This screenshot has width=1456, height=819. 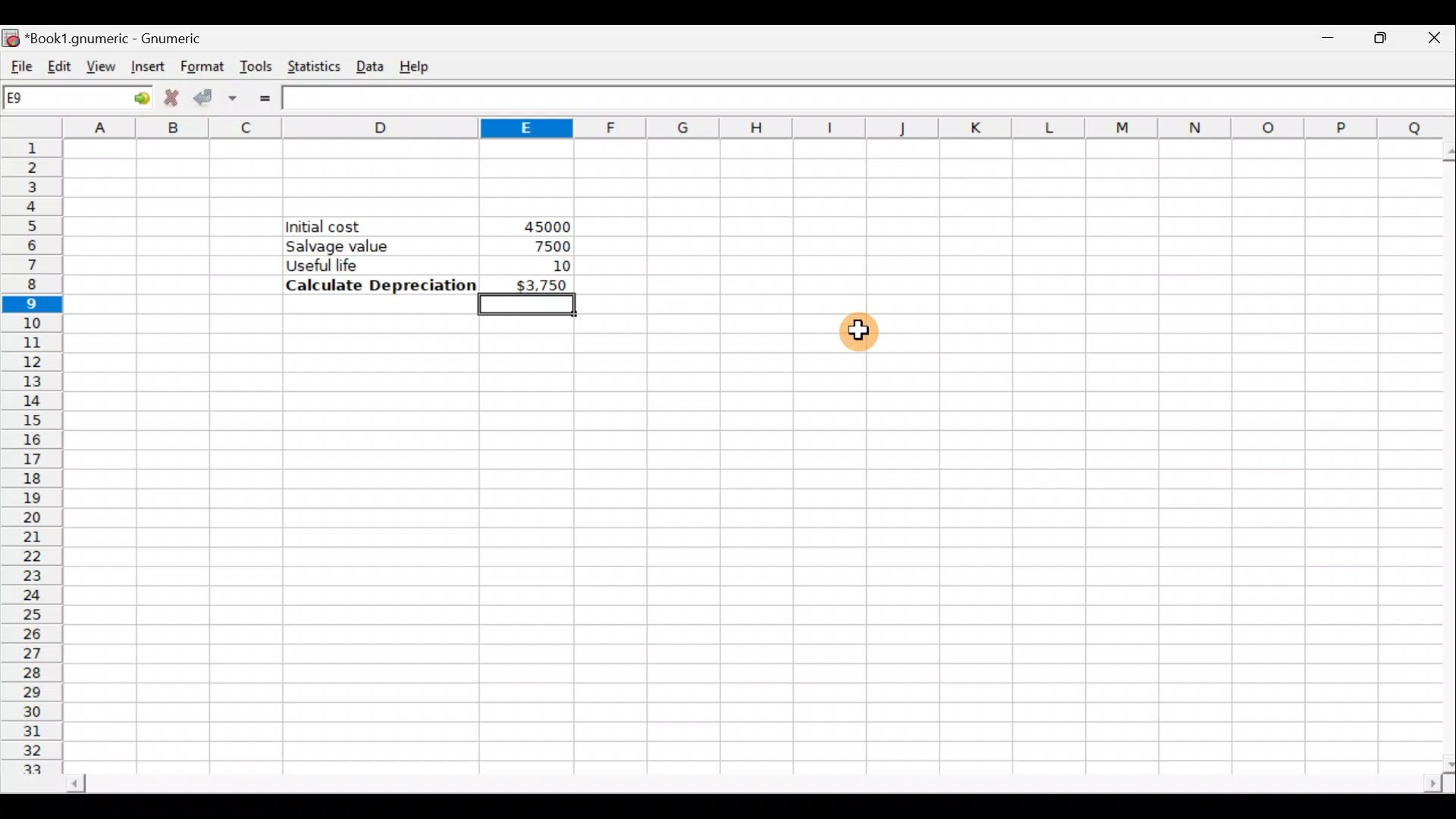 I want to click on Tools, so click(x=258, y=65).